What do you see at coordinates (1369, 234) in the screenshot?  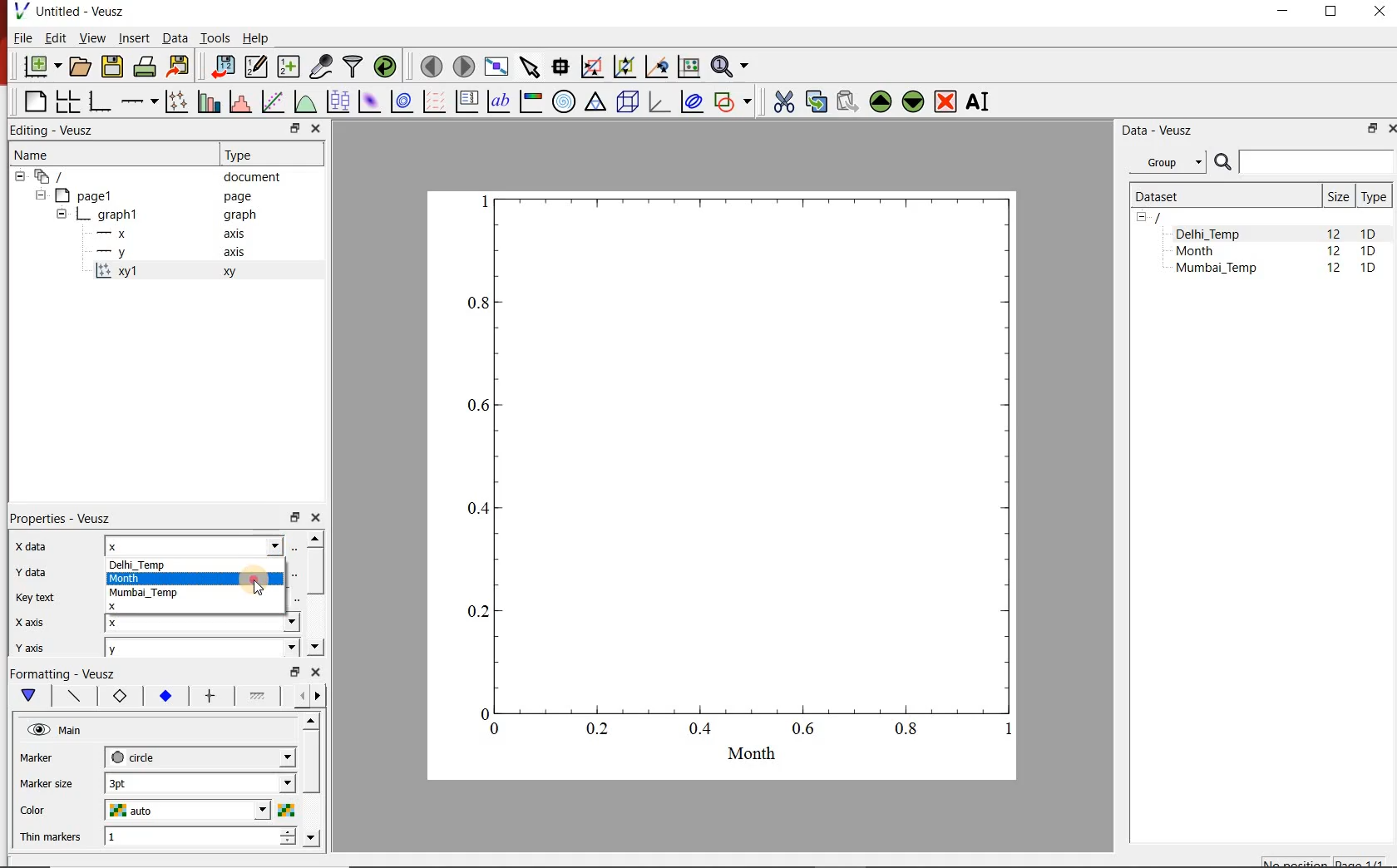 I see `1D` at bounding box center [1369, 234].